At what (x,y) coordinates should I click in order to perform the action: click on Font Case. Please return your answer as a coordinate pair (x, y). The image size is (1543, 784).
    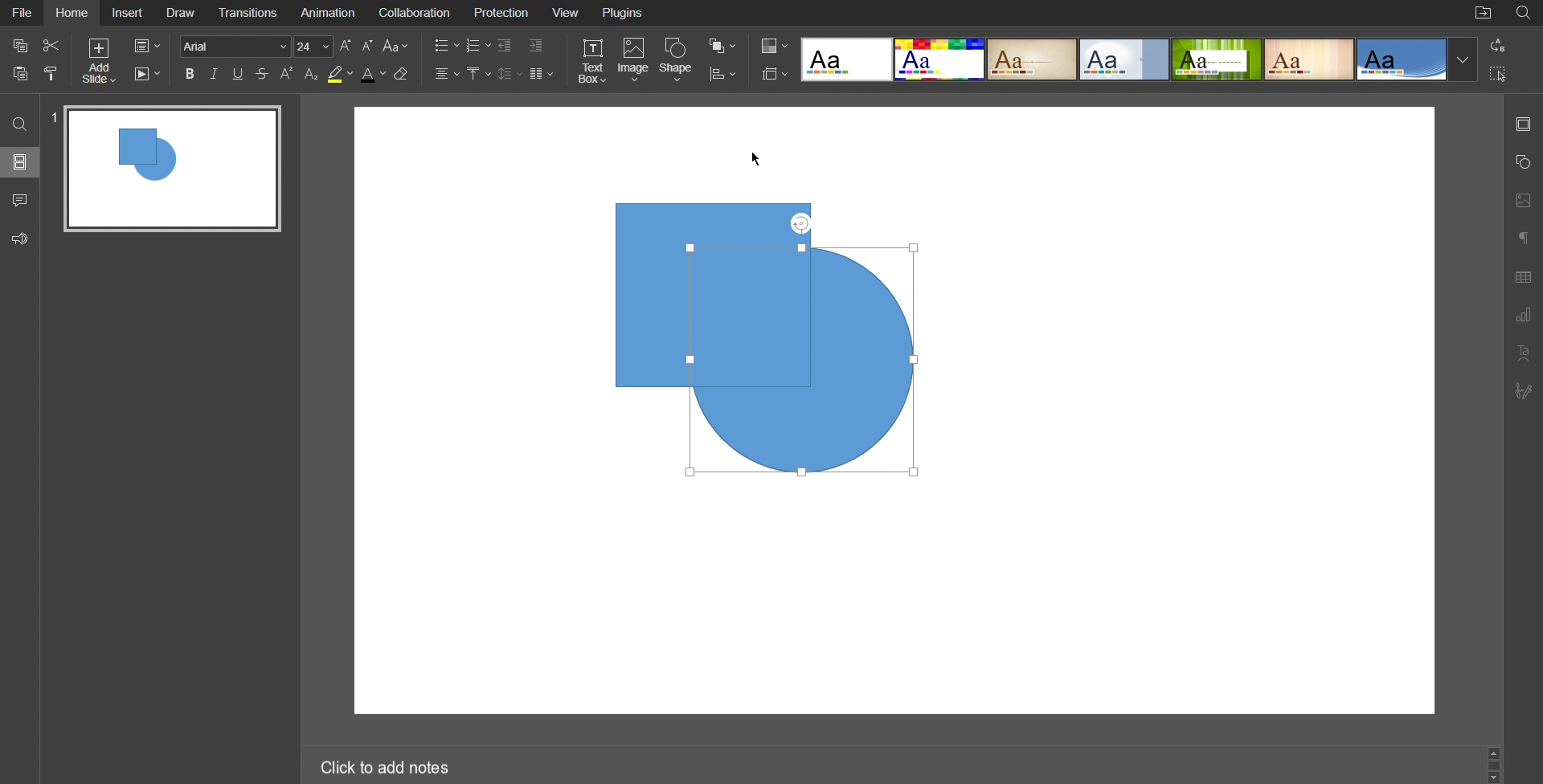
    Looking at the image, I should click on (398, 46).